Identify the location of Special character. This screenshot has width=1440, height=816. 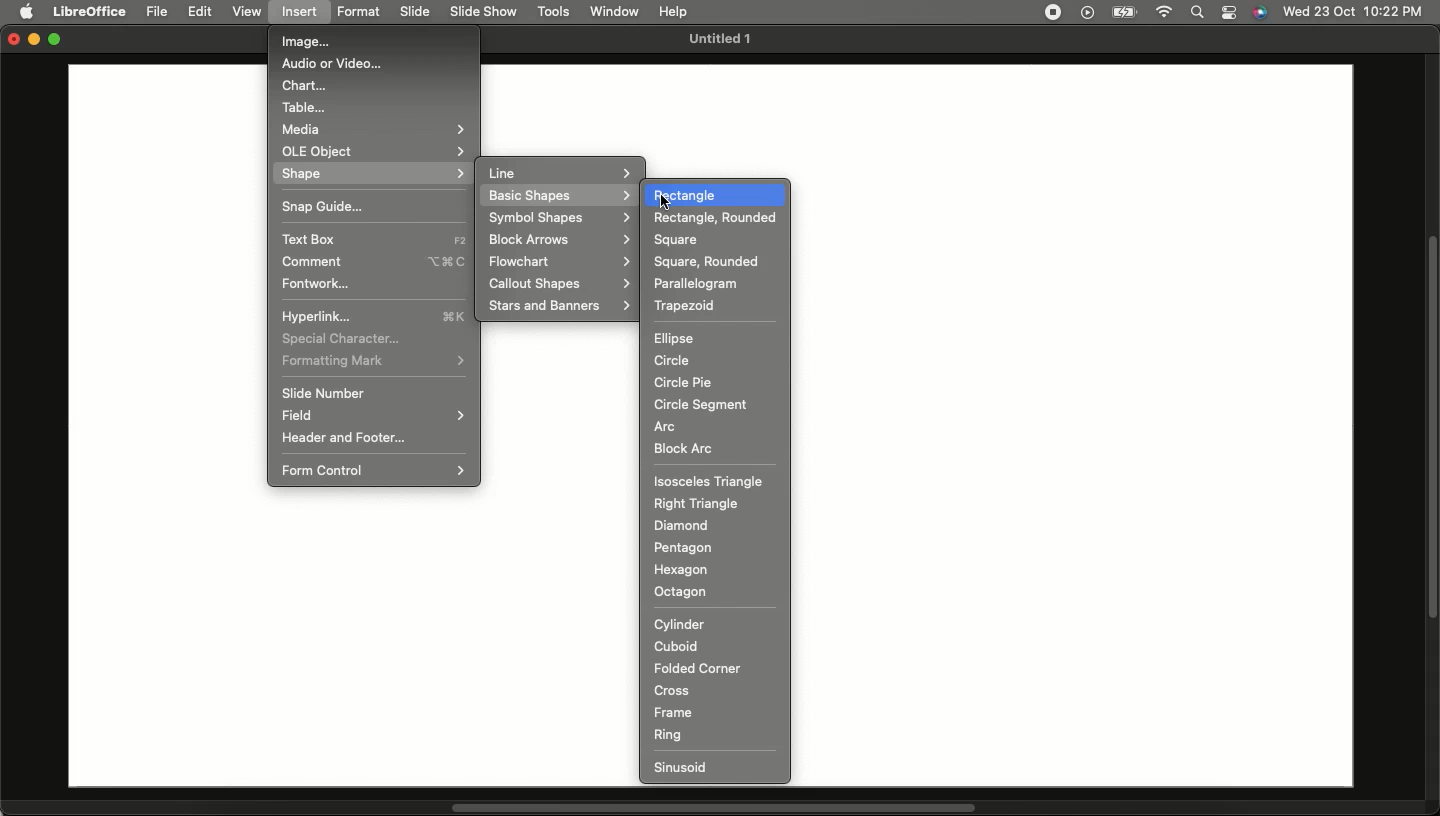
(343, 338).